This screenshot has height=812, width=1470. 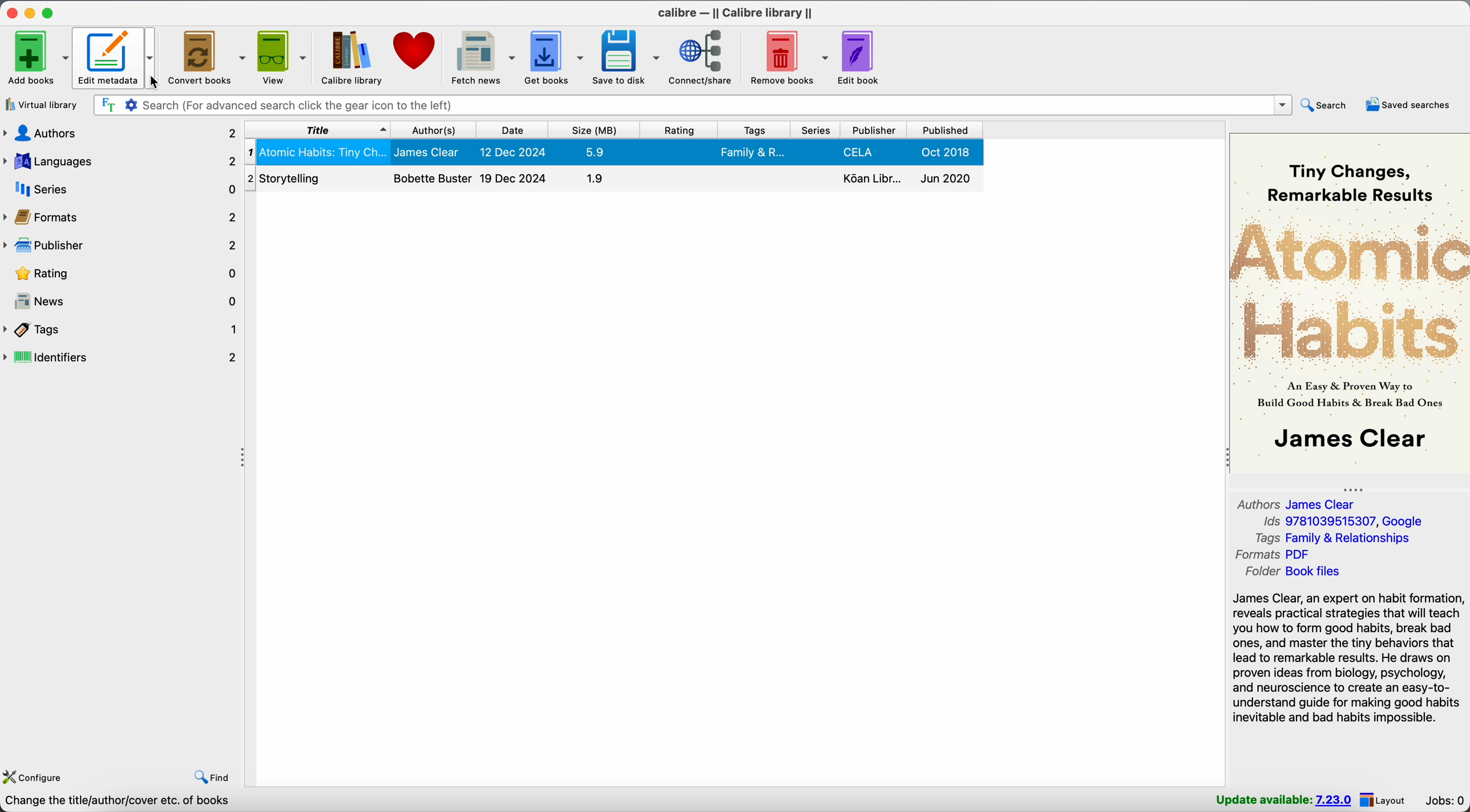 I want to click on search bar, so click(x=693, y=106).